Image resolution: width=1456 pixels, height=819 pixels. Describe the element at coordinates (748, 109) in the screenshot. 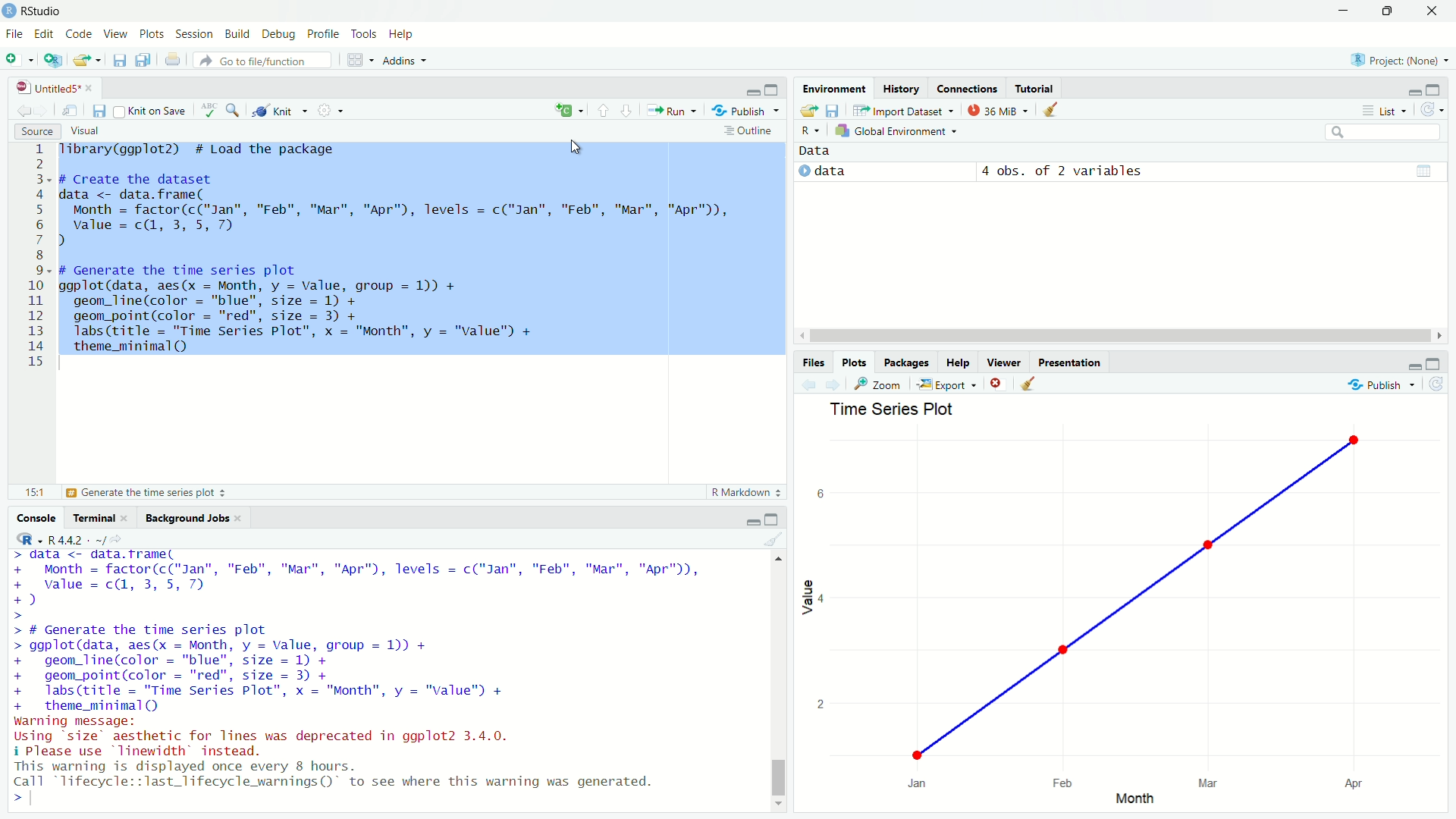

I see `publish` at that location.